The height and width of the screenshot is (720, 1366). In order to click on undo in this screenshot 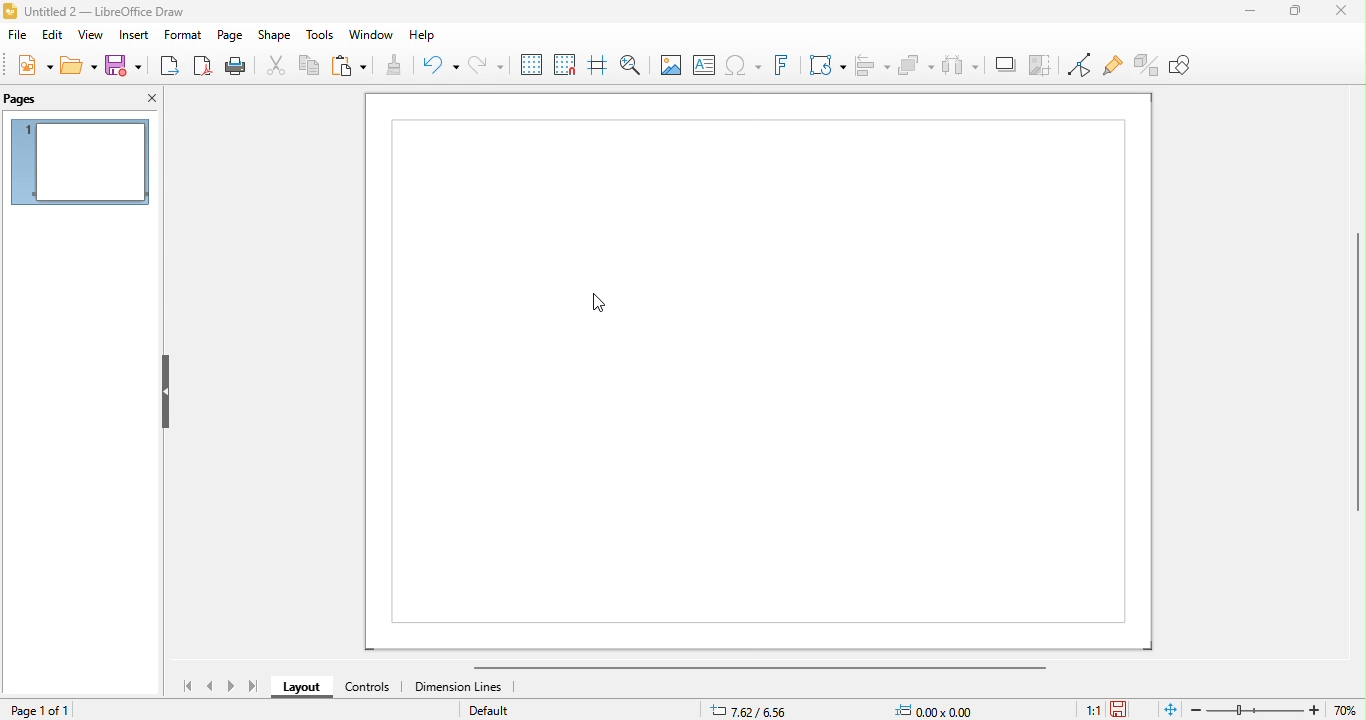, I will do `click(439, 66)`.